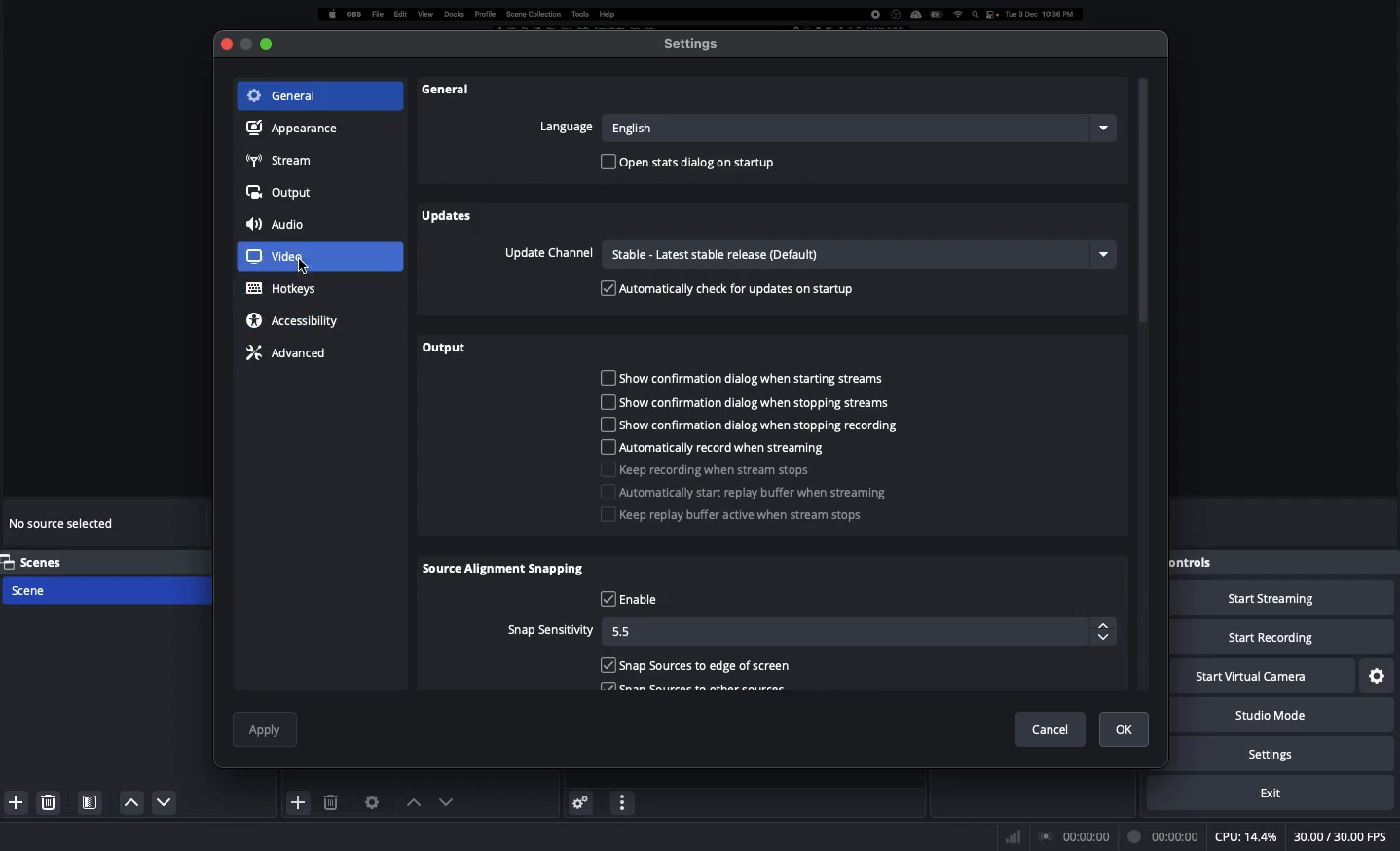 This screenshot has width=1400, height=851. I want to click on Open stats dialog on startup, so click(695, 163).